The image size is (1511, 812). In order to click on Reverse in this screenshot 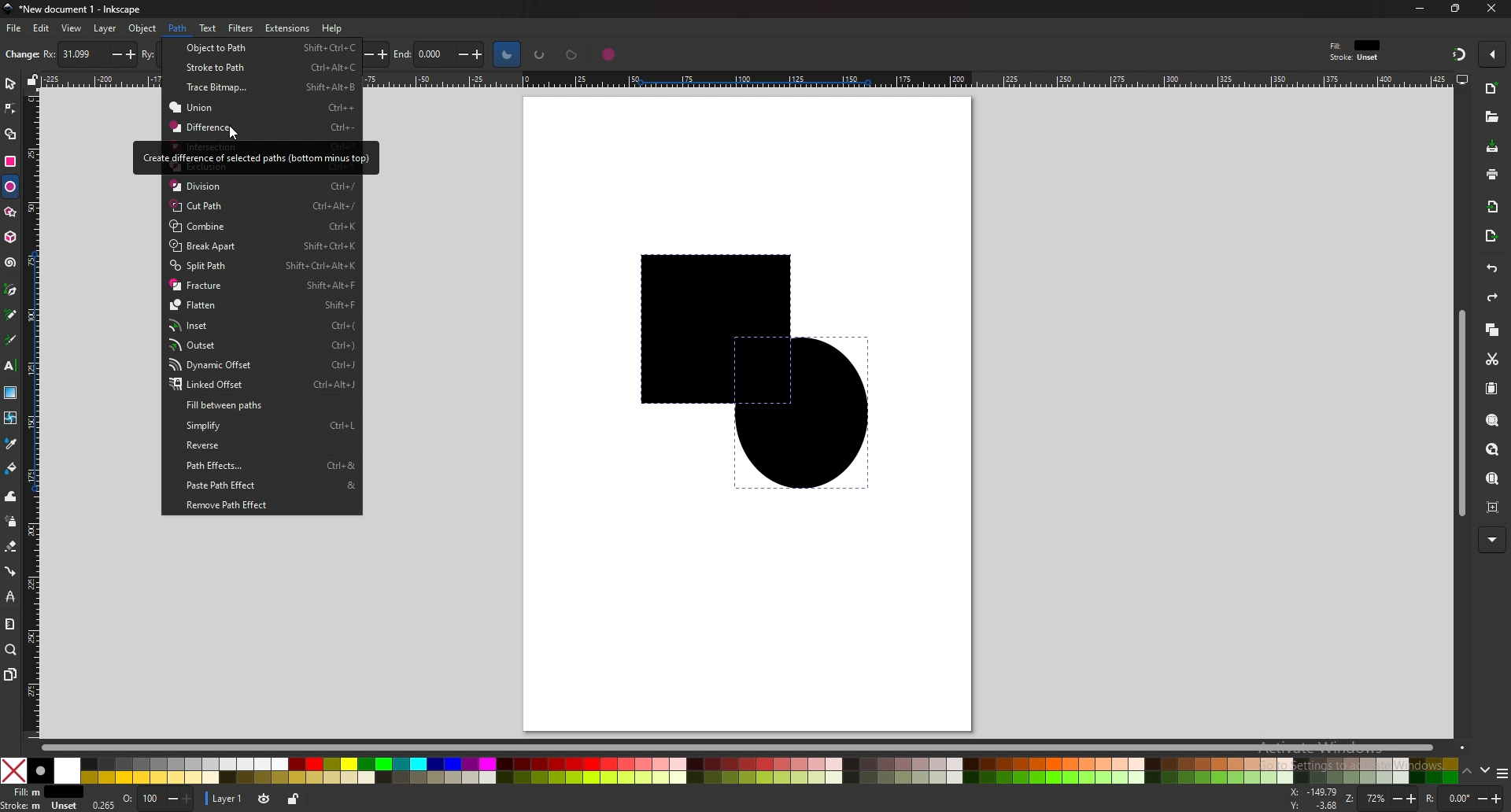, I will do `click(258, 446)`.